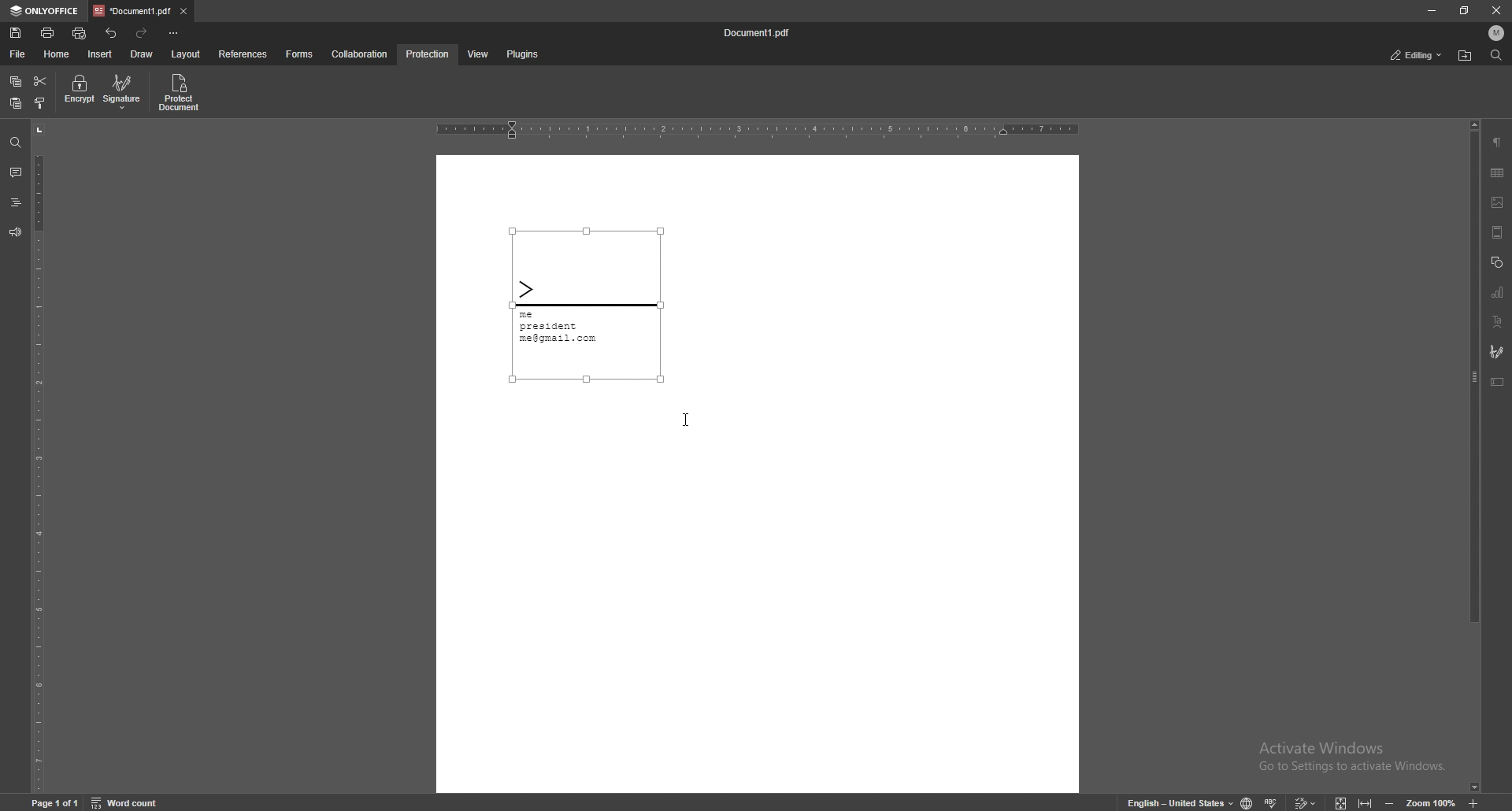  Describe the element at coordinates (758, 131) in the screenshot. I see `horizontal scale` at that location.